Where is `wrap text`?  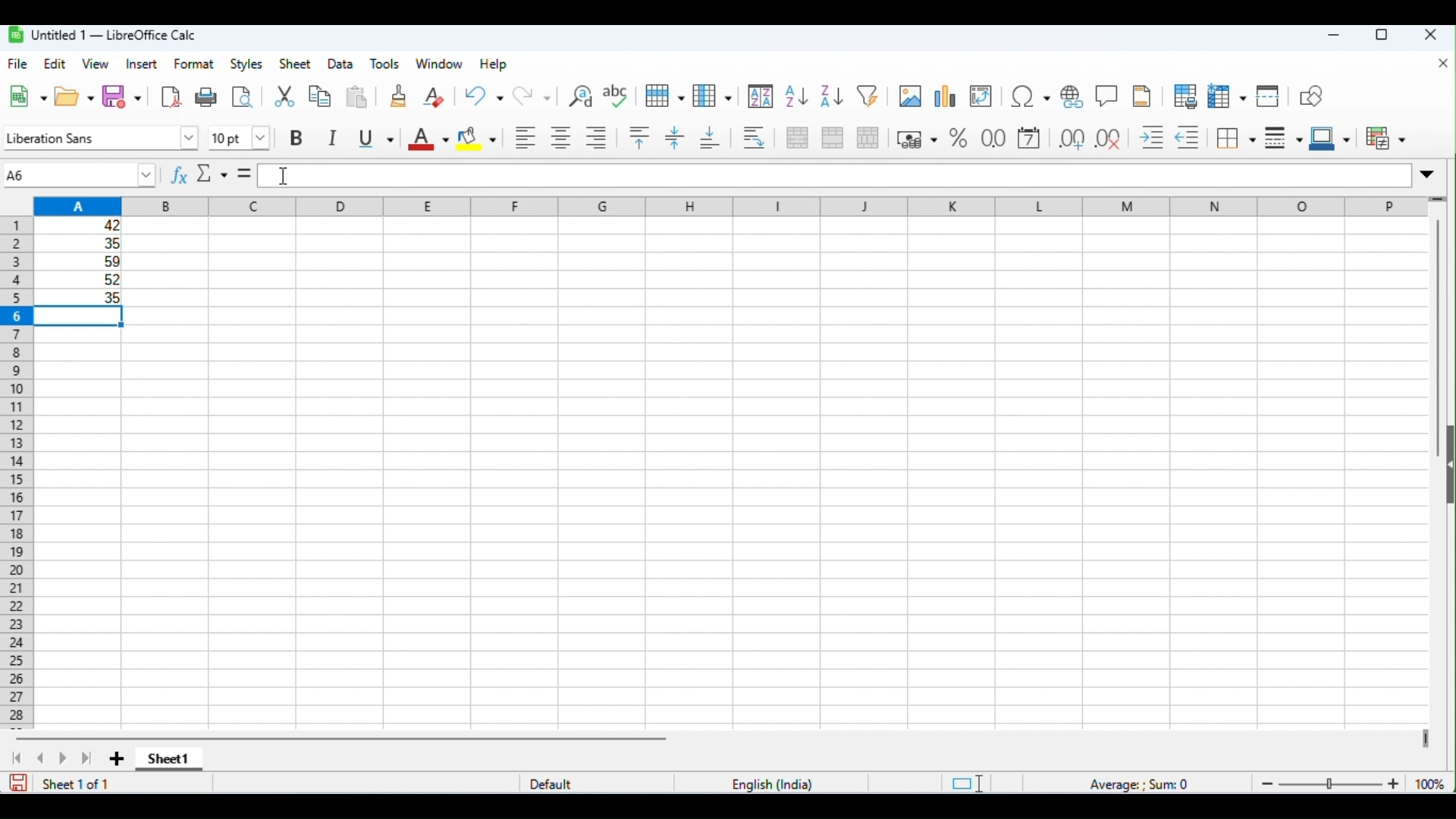 wrap text is located at coordinates (755, 137).